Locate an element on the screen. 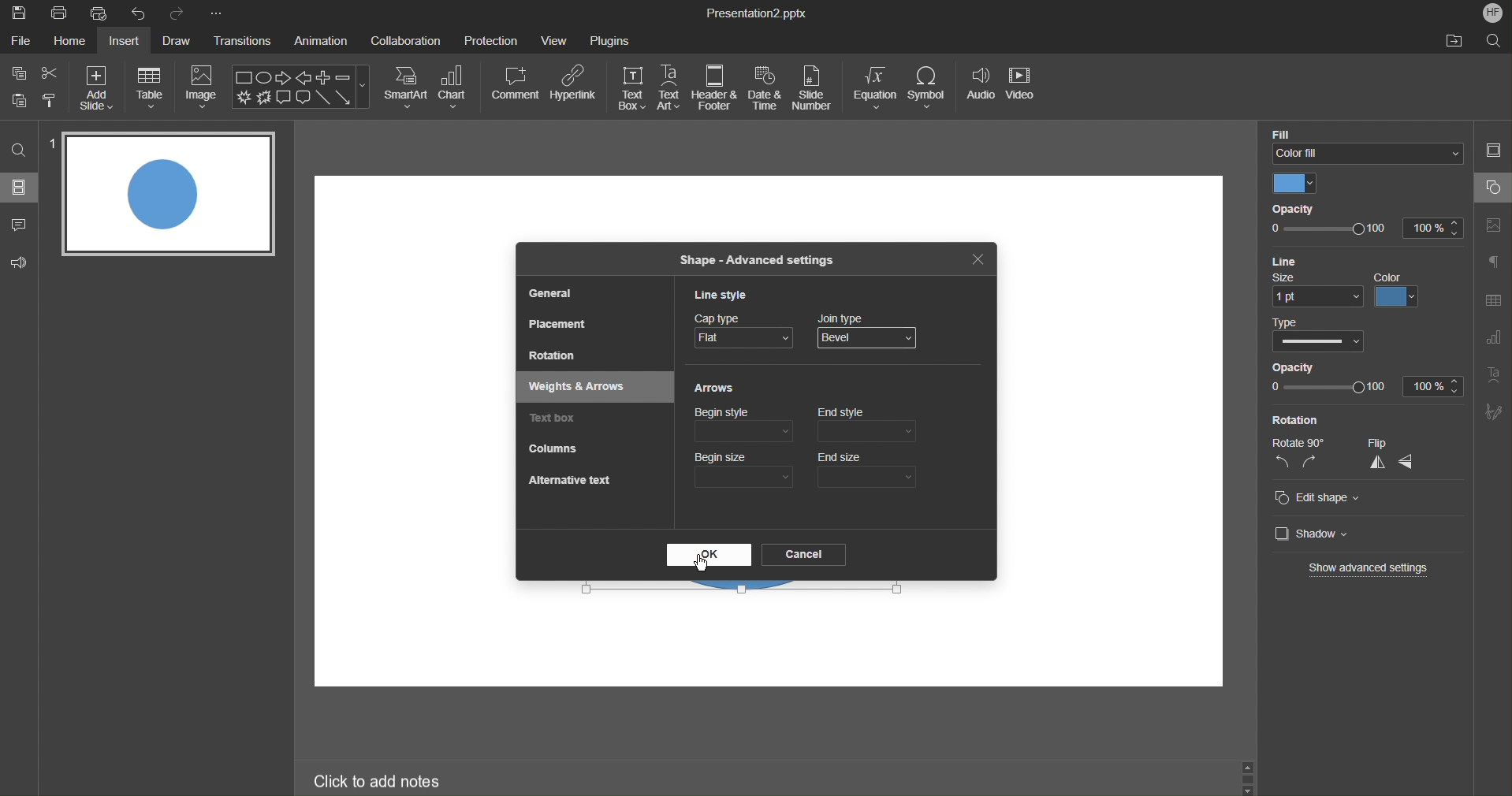 The height and width of the screenshot is (796, 1512). Collaboration is located at coordinates (406, 39).